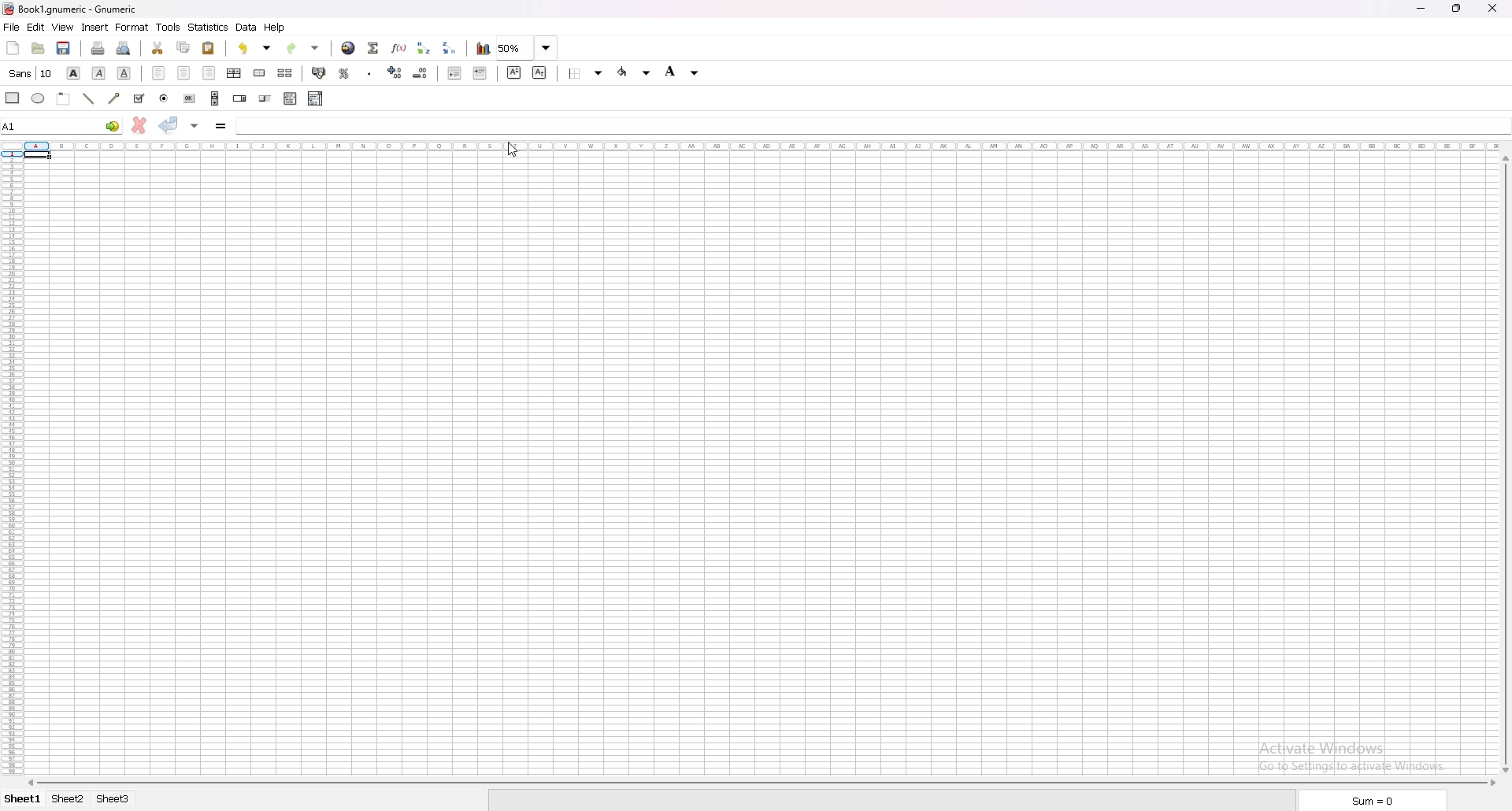 This screenshot has height=811, width=1512. What do you see at coordinates (32, 73) in the screenshot?
I see `font` at bounding box center [32, 73].